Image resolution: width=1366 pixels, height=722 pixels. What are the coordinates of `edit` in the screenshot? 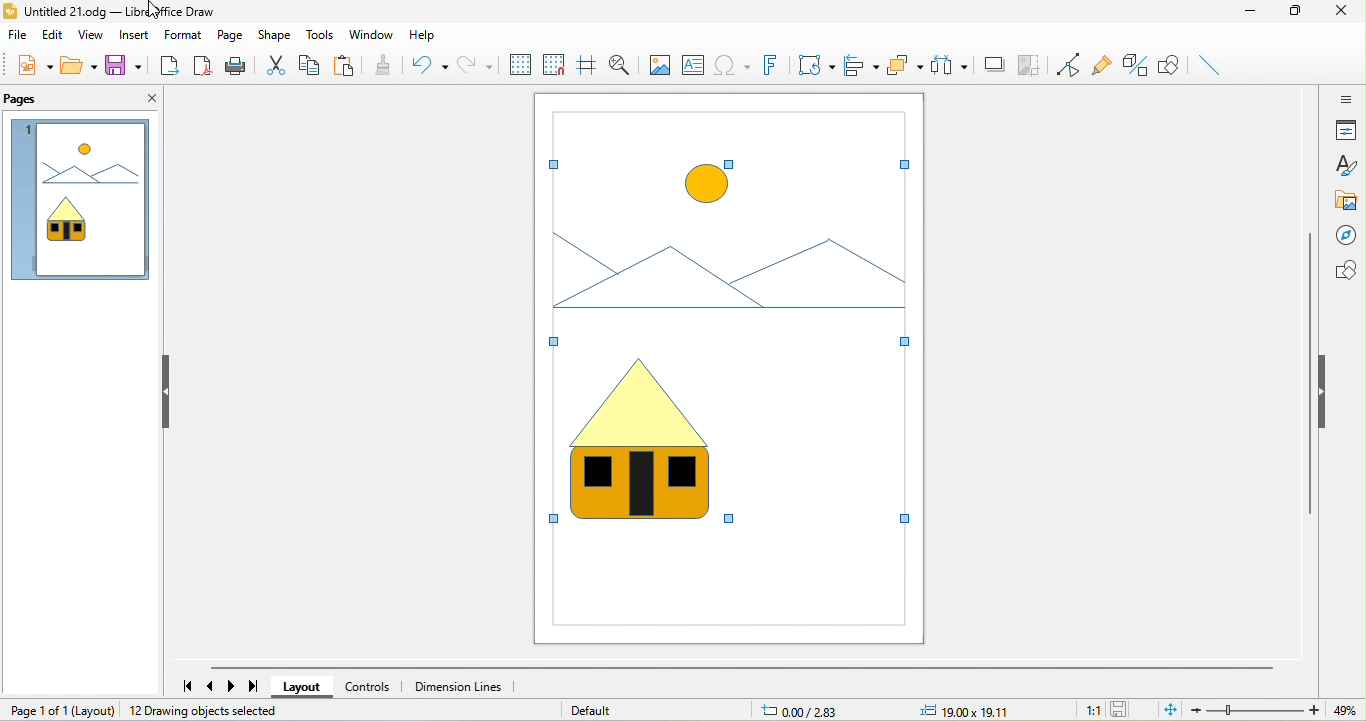 It's located at (56, 34).